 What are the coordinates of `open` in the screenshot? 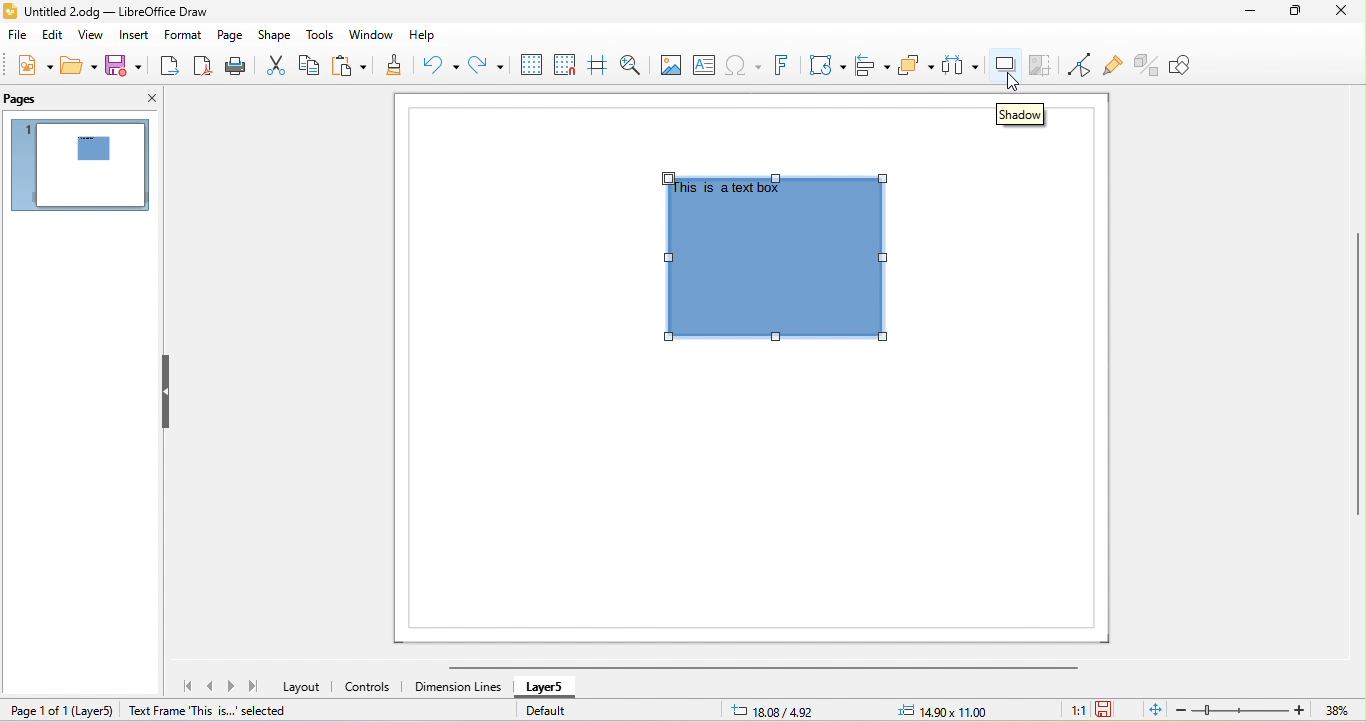 It's located at (76, 63).